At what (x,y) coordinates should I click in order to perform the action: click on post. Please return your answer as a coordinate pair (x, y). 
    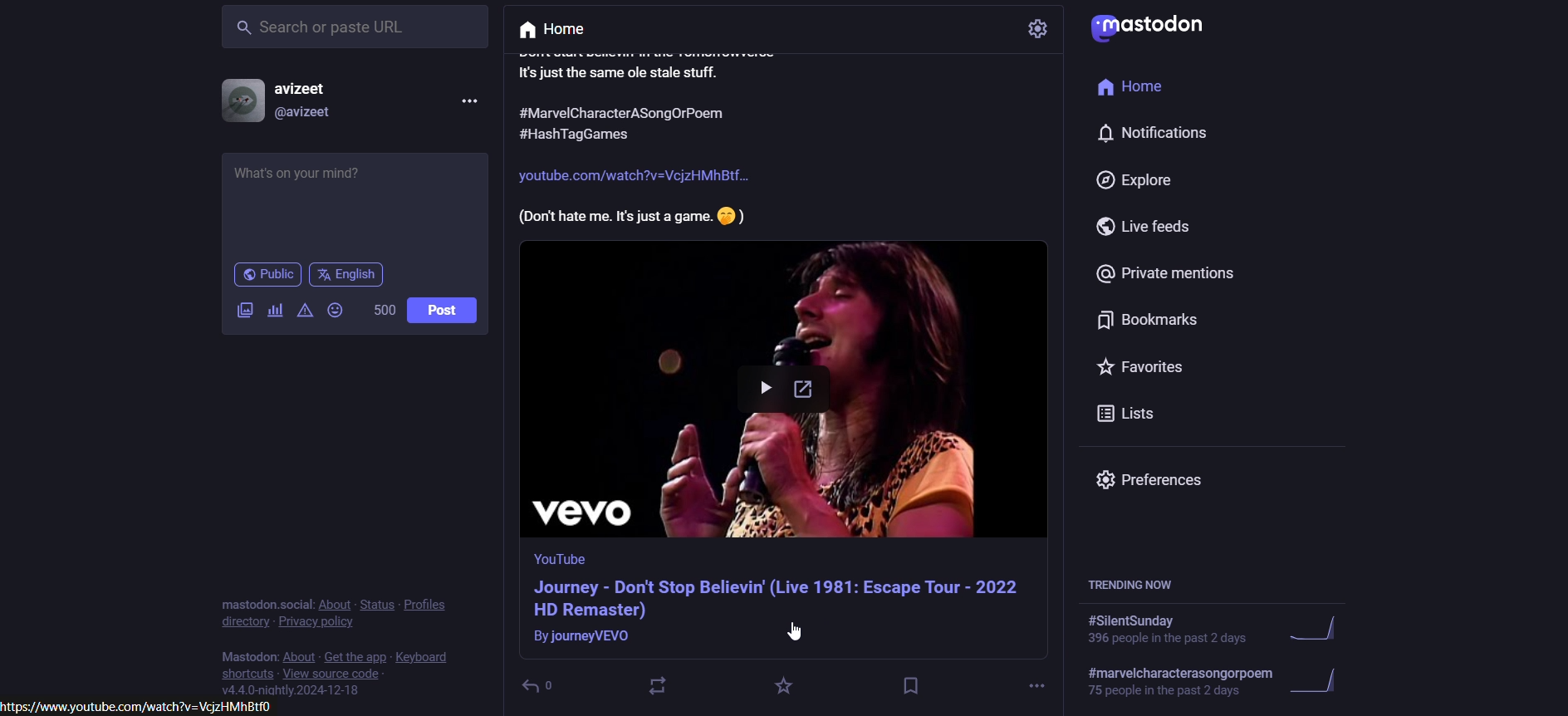
    Looking at the image, I should click on (446, 312).